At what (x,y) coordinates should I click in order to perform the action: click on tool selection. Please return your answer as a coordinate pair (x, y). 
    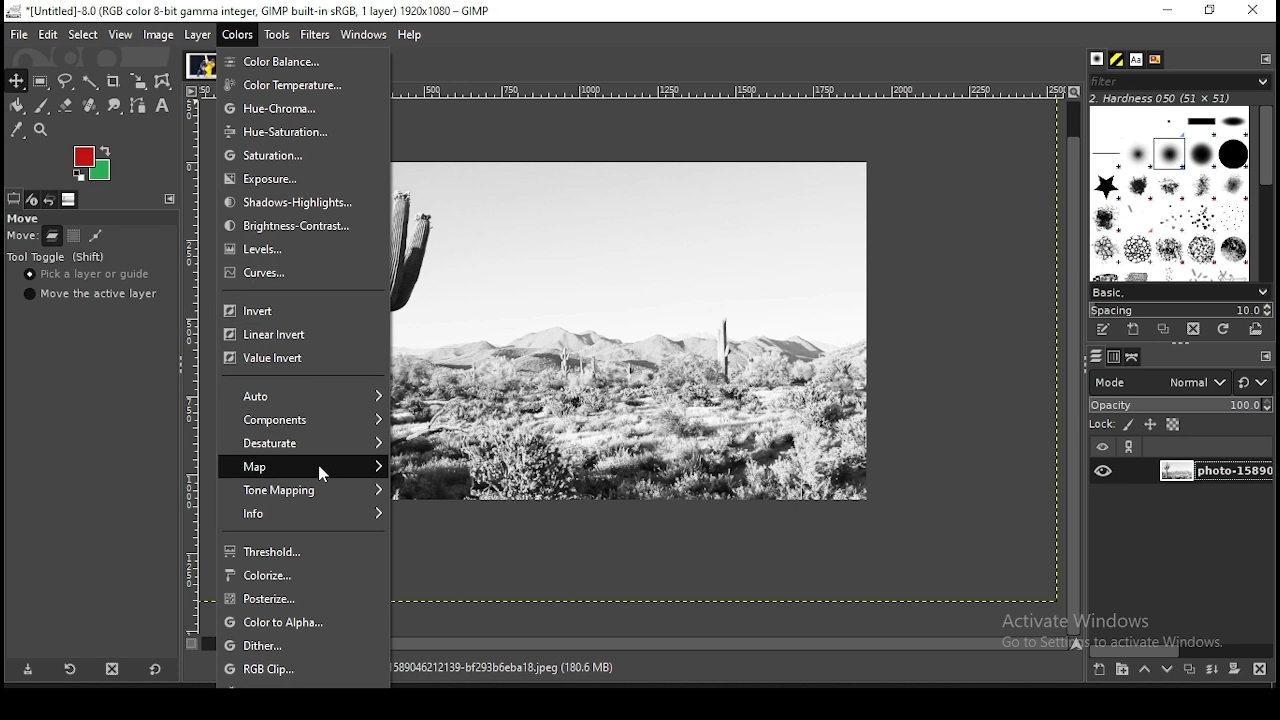
    Looking at the image, I should click on (14, 198).